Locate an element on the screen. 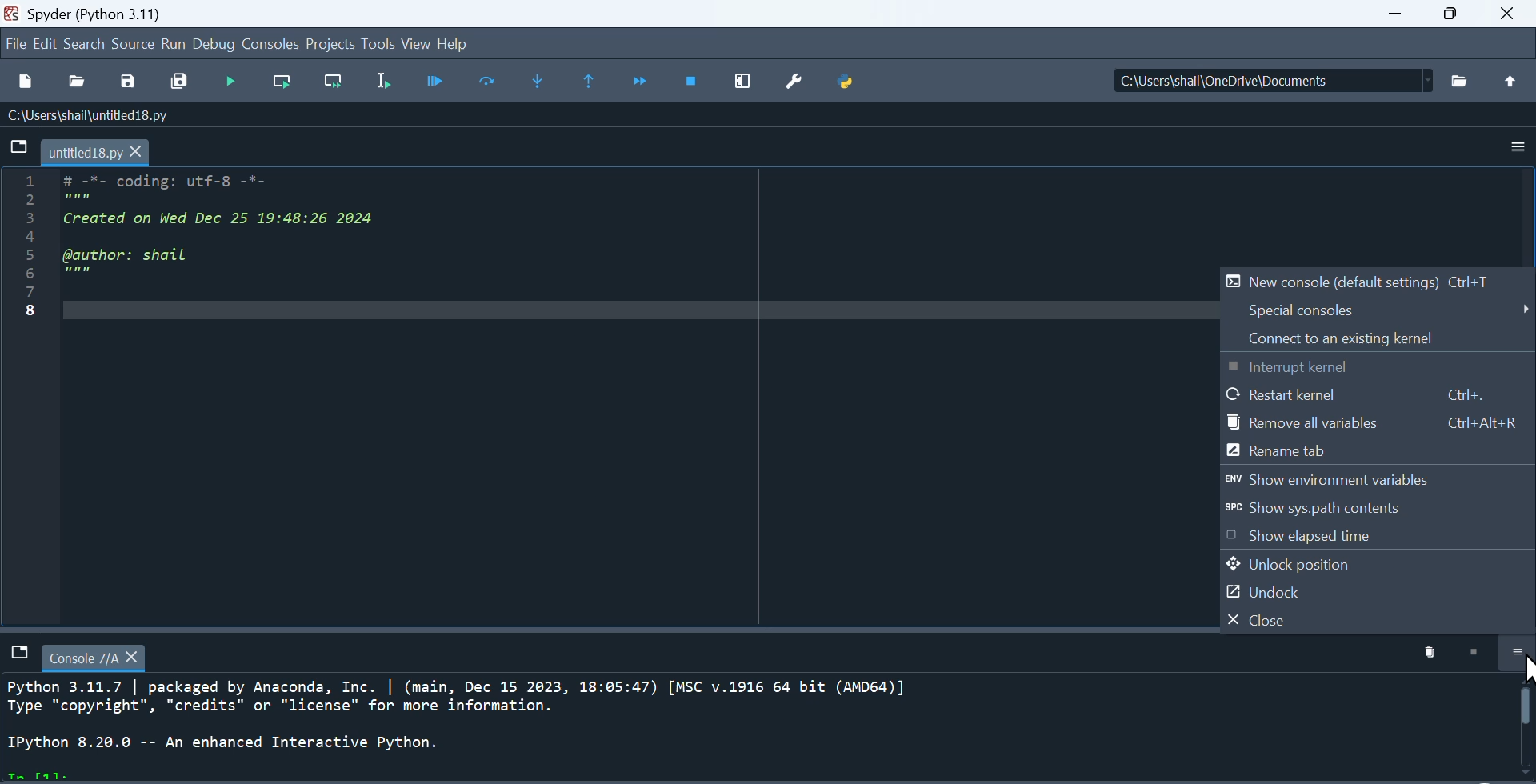  run current file and go to next cell is located at coordinates (330, 81).